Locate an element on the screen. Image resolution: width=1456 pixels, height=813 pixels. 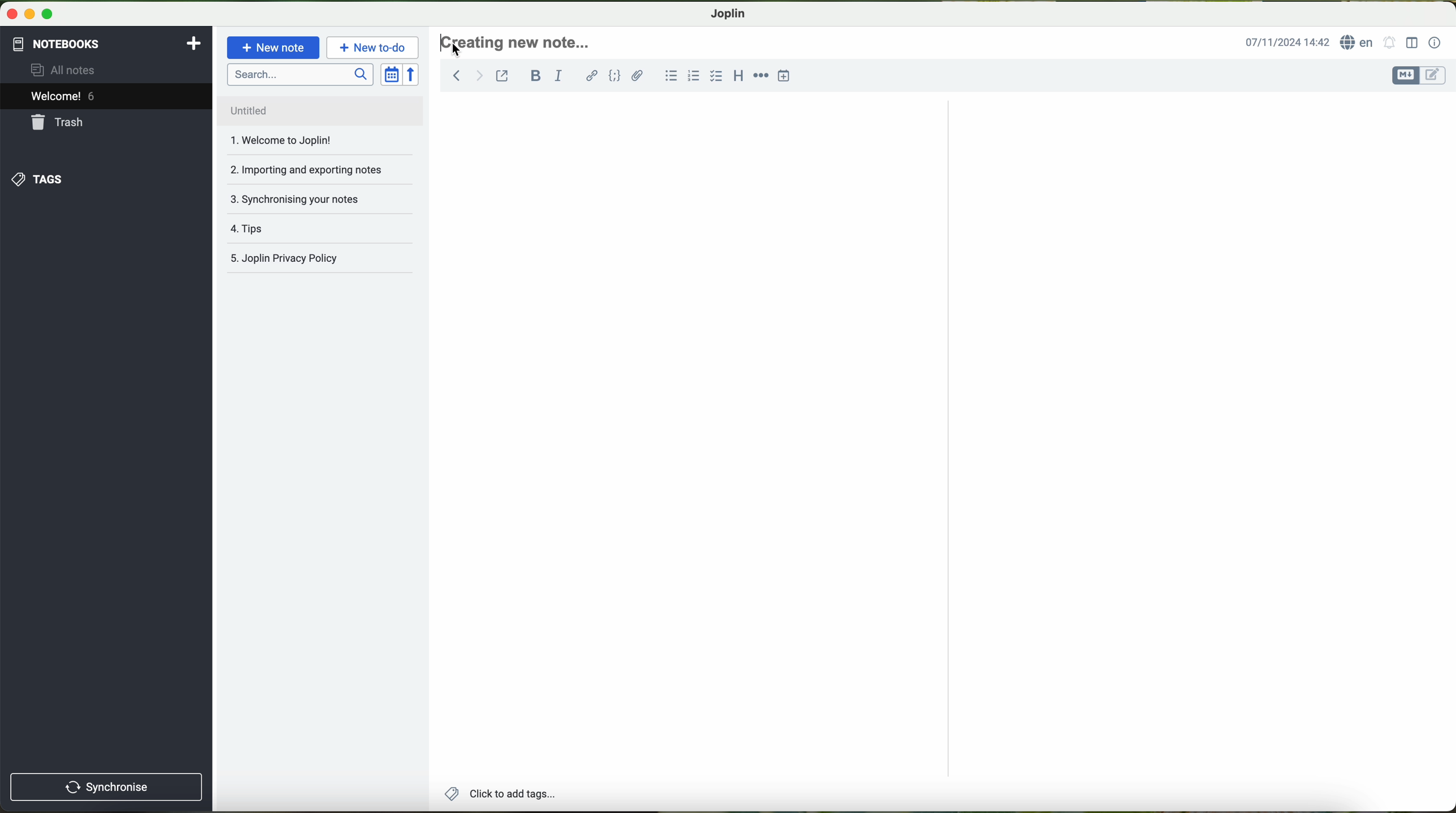
language is located at coordinates (1359, 42).